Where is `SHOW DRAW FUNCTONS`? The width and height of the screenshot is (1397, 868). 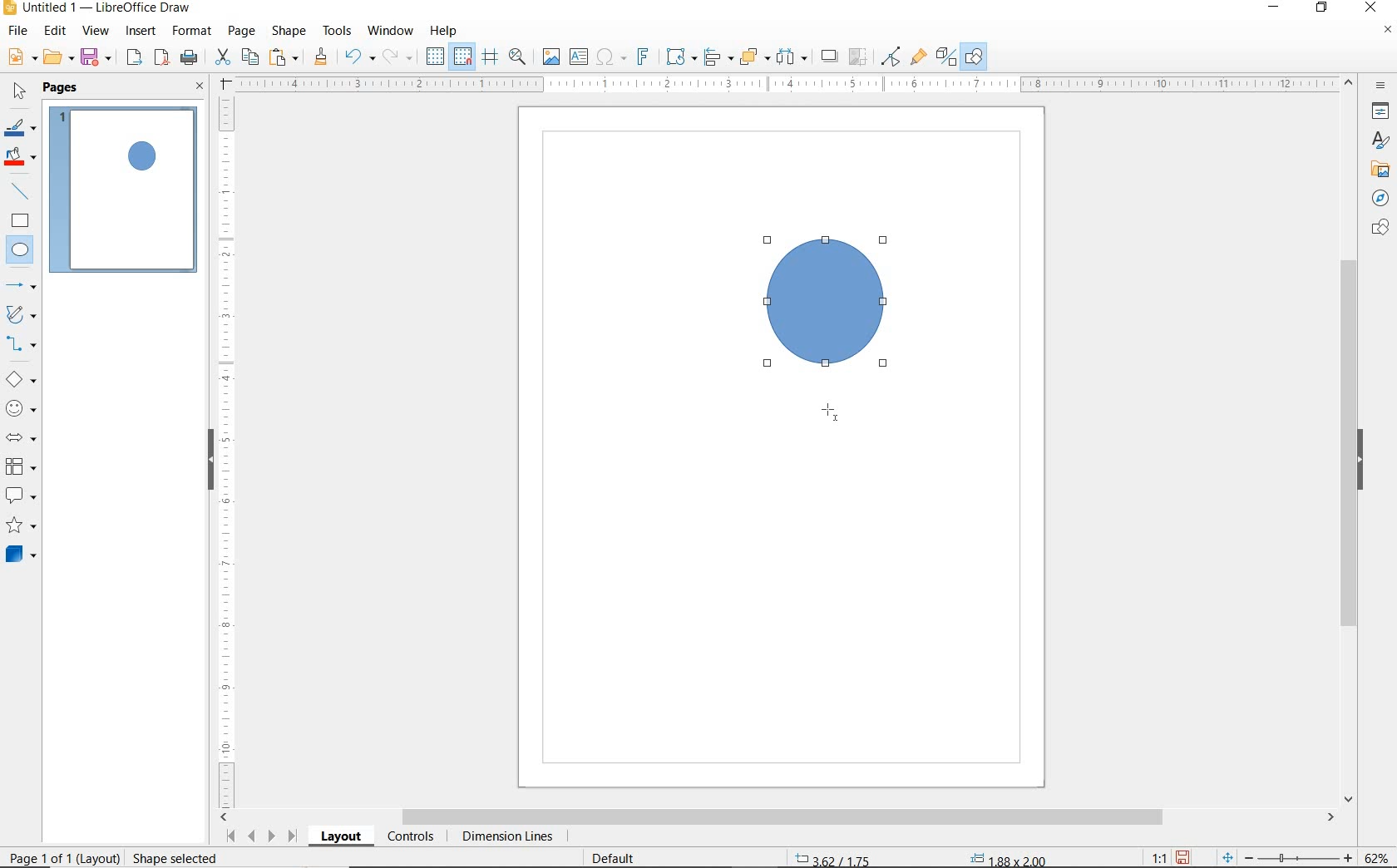
SHOW DRAW FUNCTONS is located at coordinates (974, 57).